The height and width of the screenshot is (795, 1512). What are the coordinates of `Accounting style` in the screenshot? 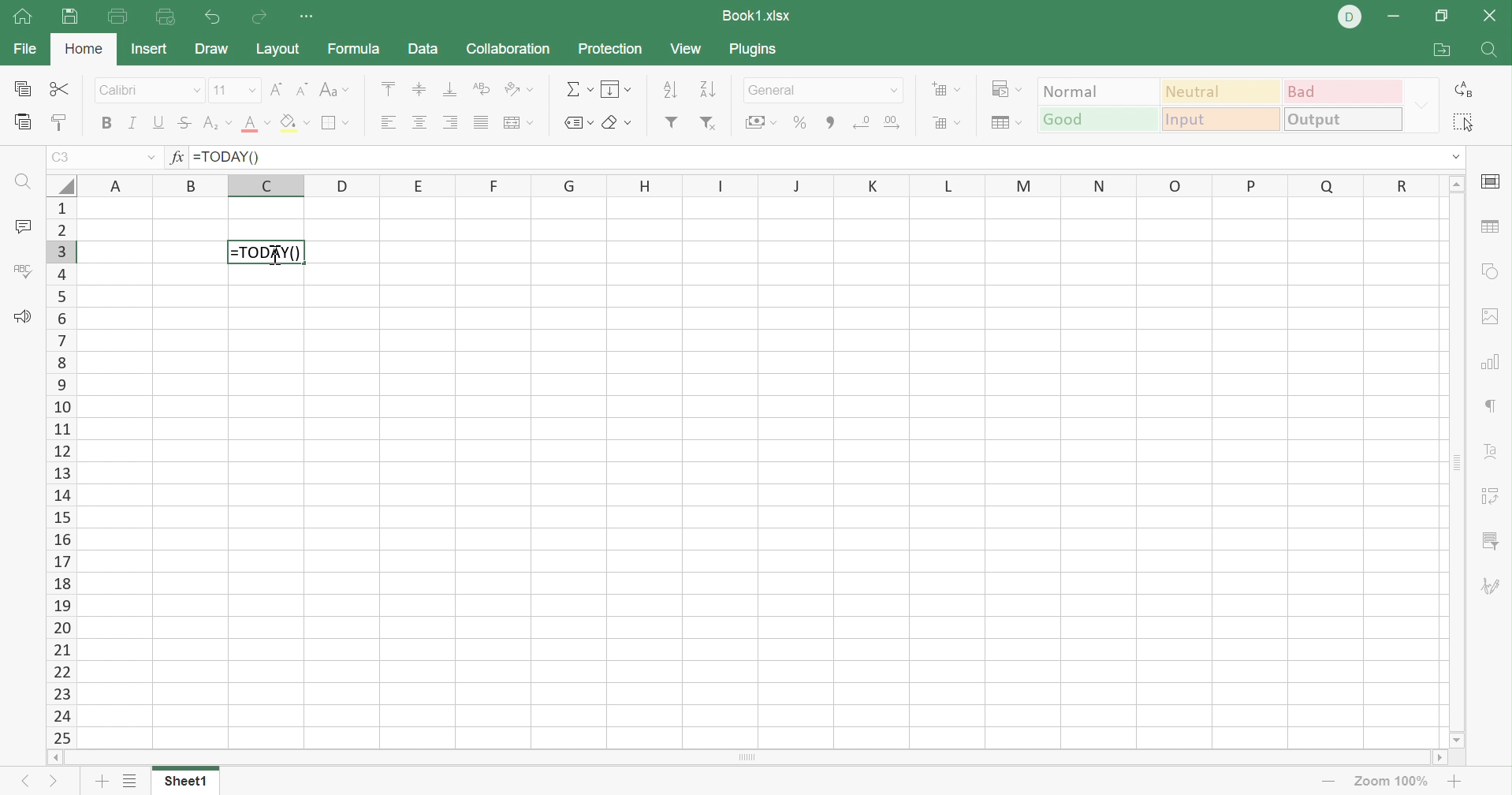 It's located at (759, 122).